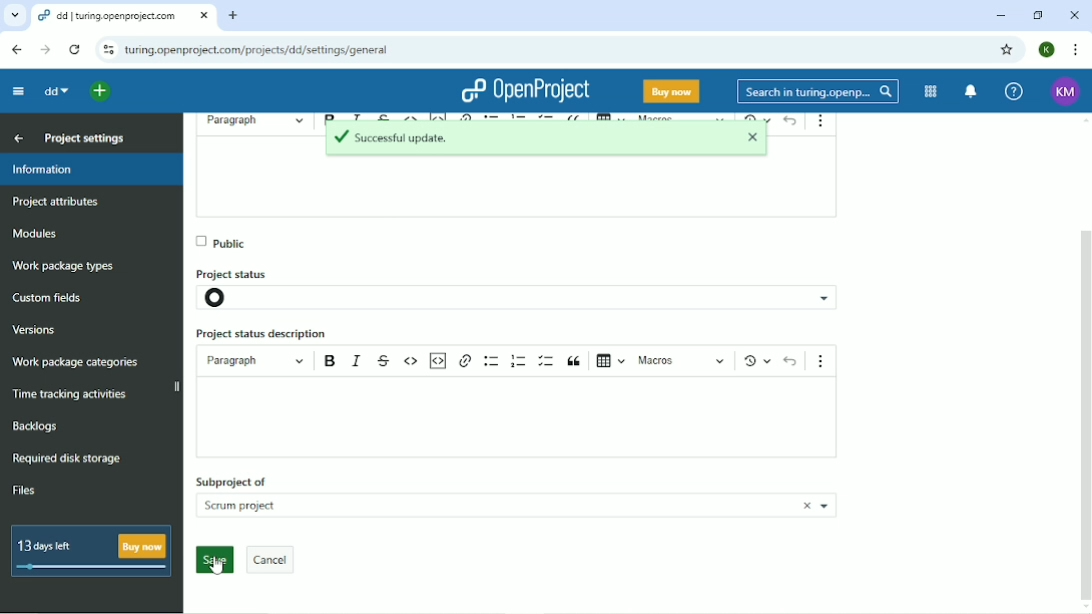 This screenshot has width=1092, height=614. Describe the element at coordinates (824, 511) in the screenshot. I see `more projects` at that location.